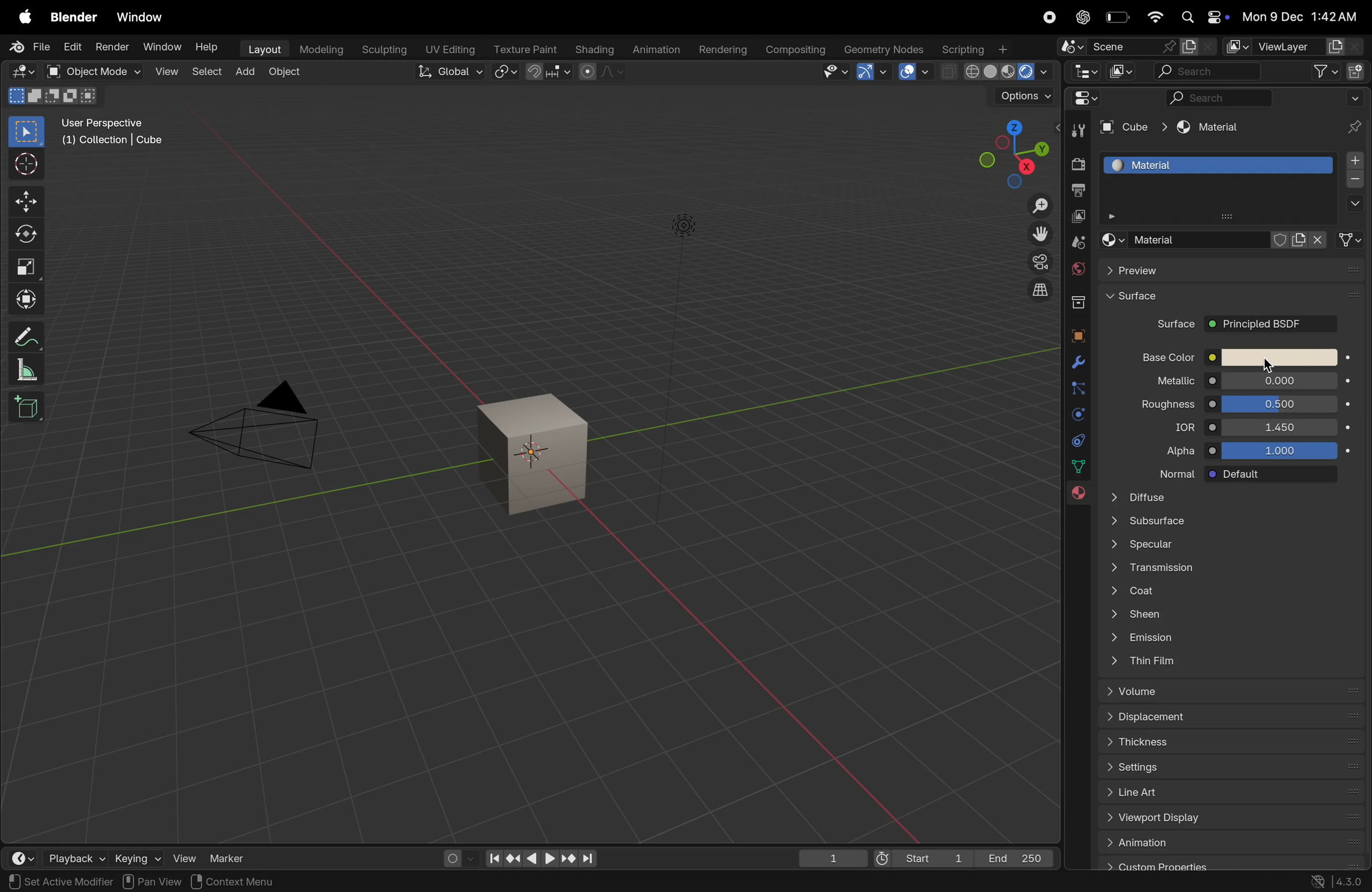 The image size is (1372, 892). I want to click on select box, so click(26, 132).